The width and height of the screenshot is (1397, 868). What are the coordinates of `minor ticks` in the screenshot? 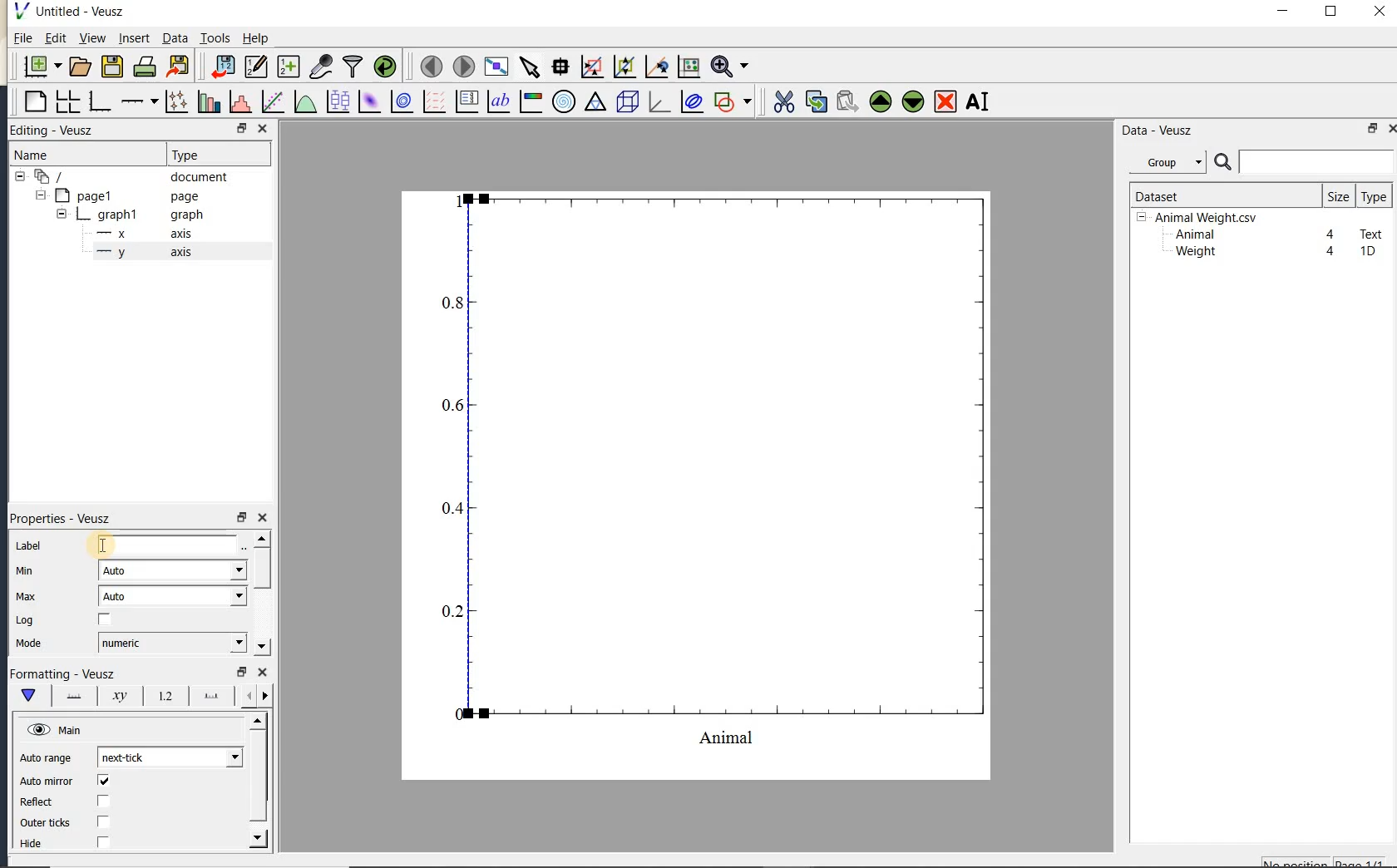 It's located at (254, 696).